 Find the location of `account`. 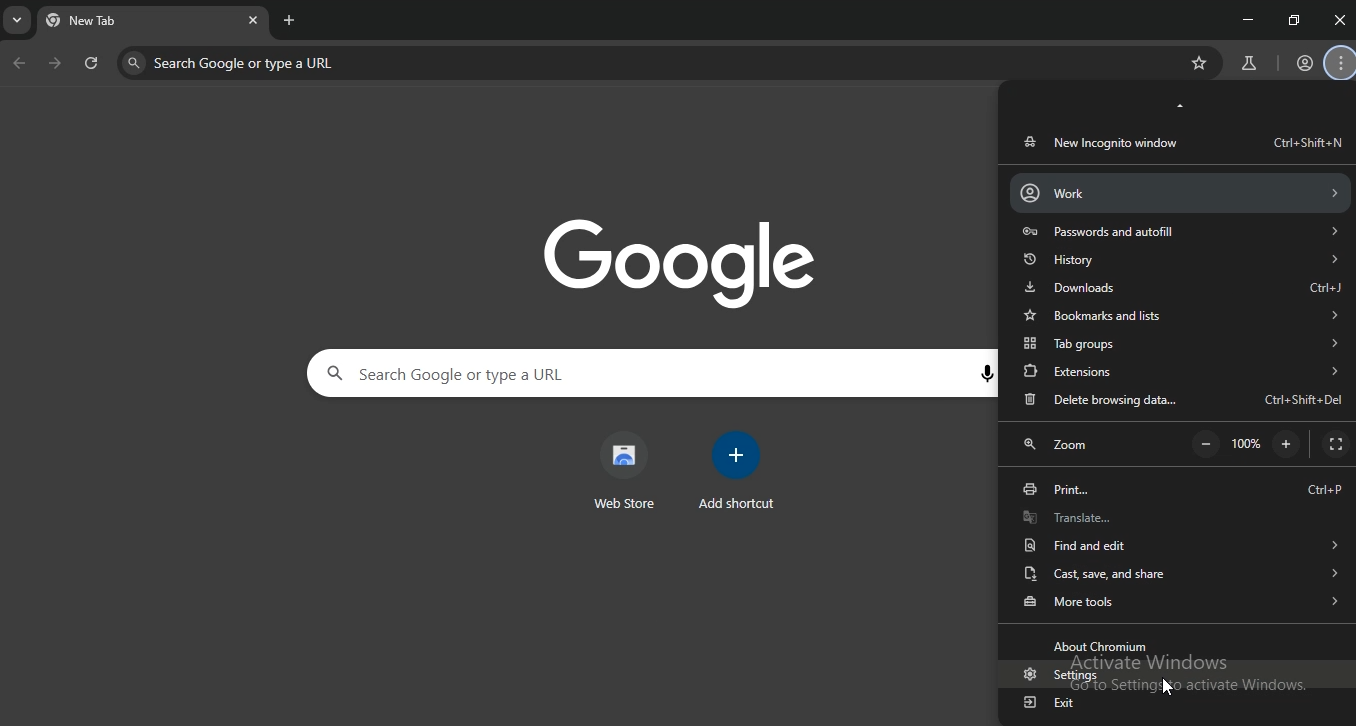

account is located at coordinates (1178, 192).